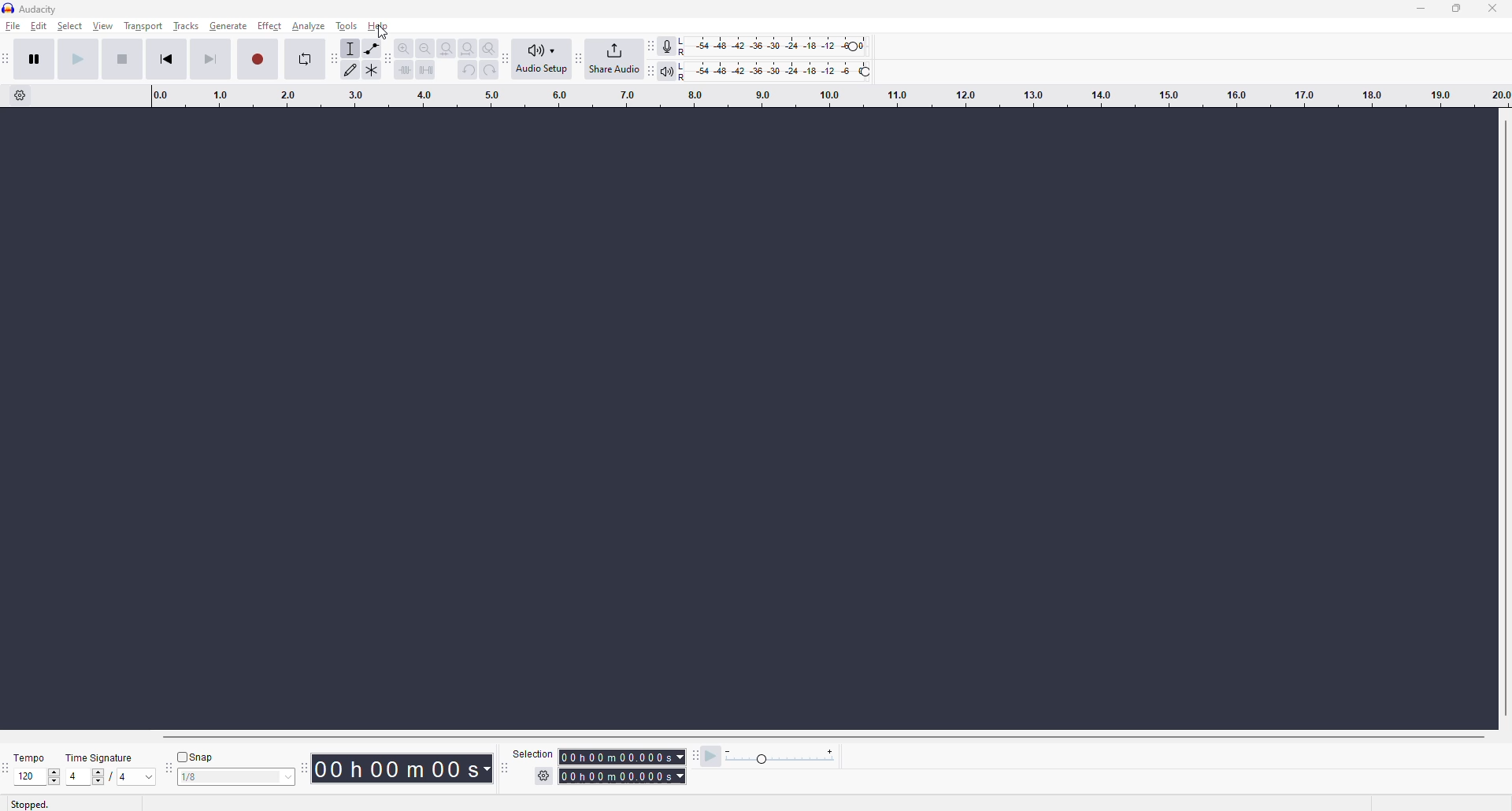 This screenshot has height=811, width=1512. What do you see at coordinates (547, 61) in the screenshot?
I see `audio setup` at bounding box center [547, 61].